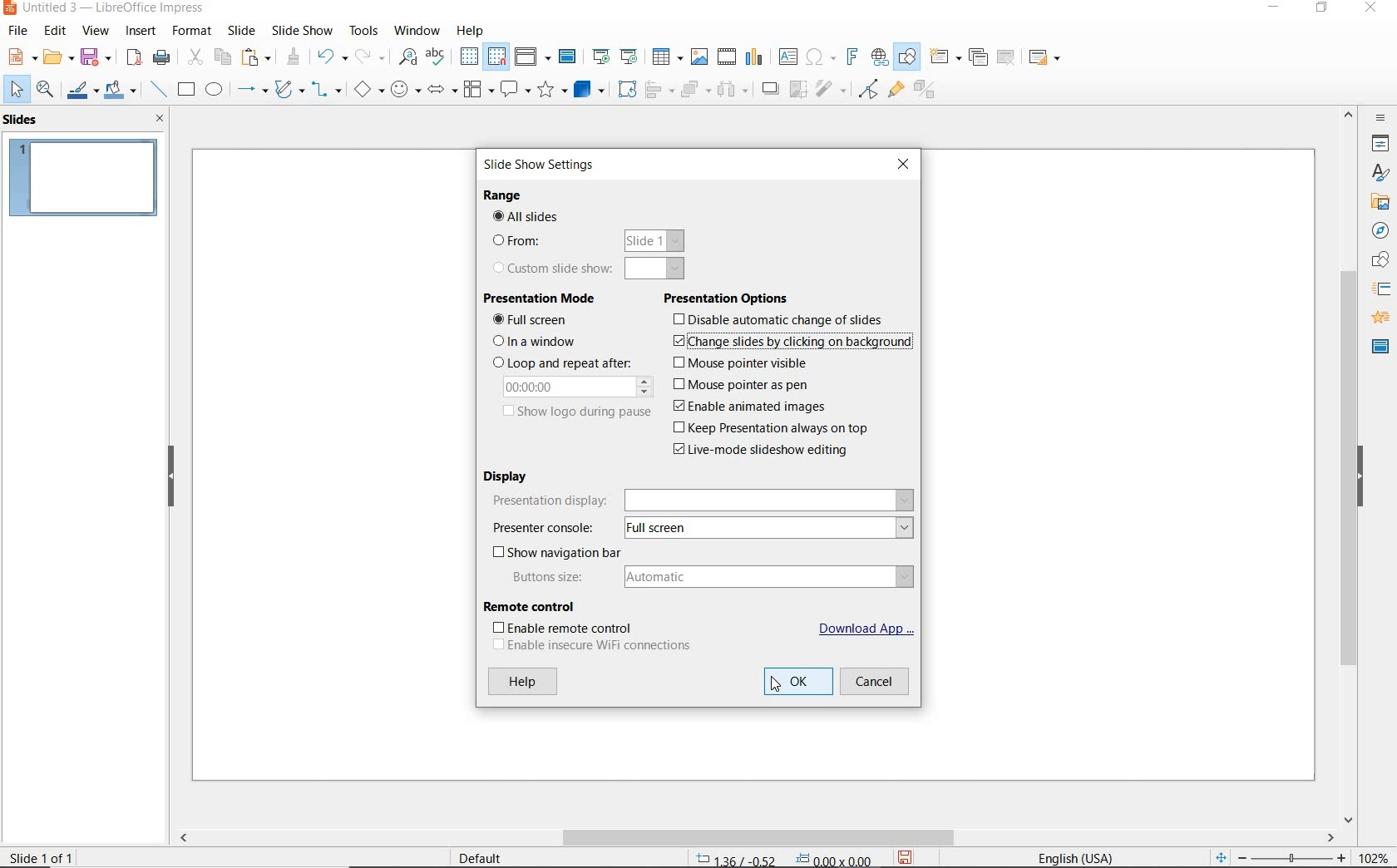 The width and height of the screenshot is (1397, 868). Describe the element at coordinates (591, 648) in the screenshot. I see `ENABLE INSEURE WIFI CONNECTIONS` at that location.